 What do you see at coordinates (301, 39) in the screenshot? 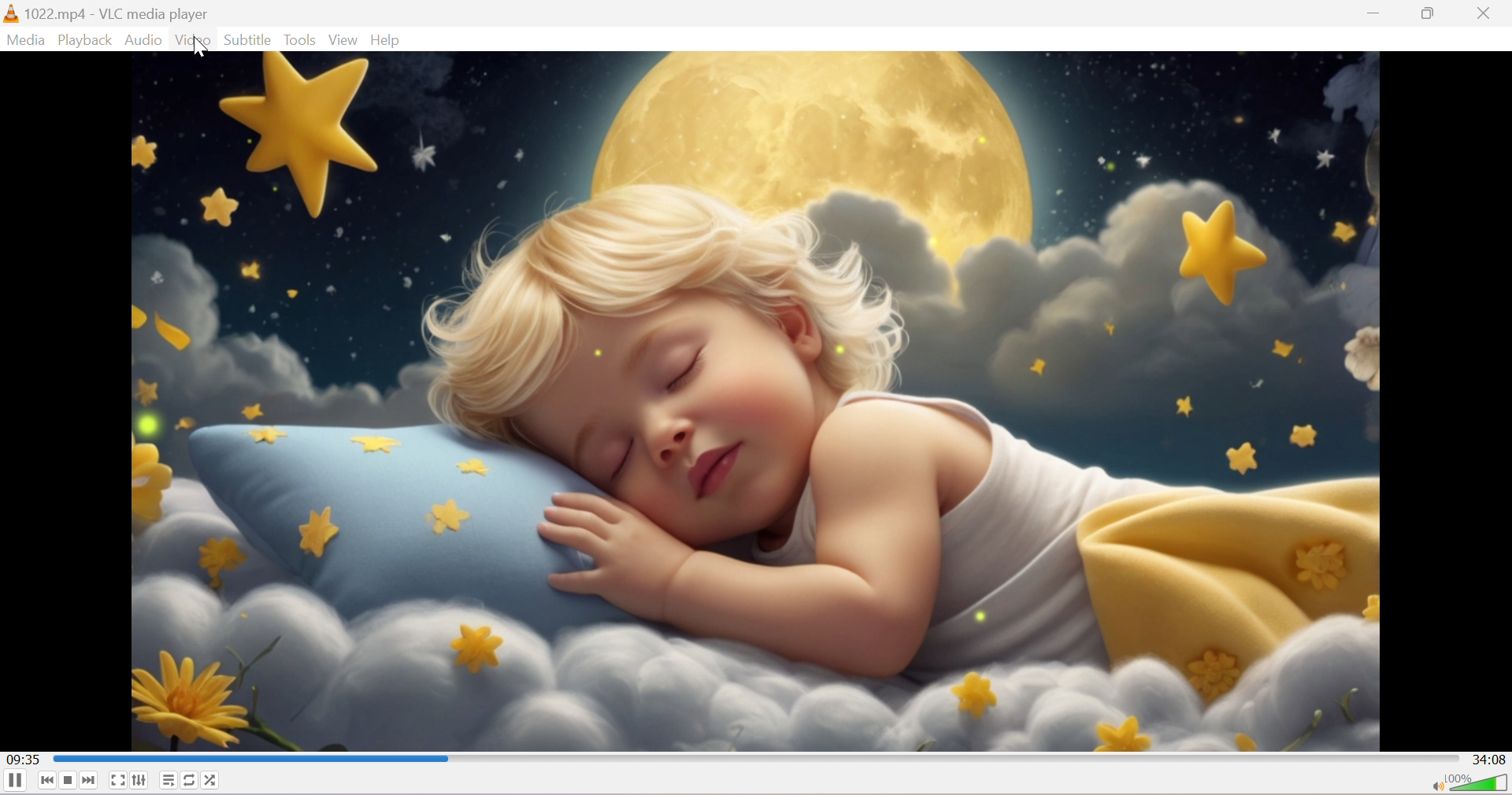
I see `Tools` at bounding box center [301, 39].